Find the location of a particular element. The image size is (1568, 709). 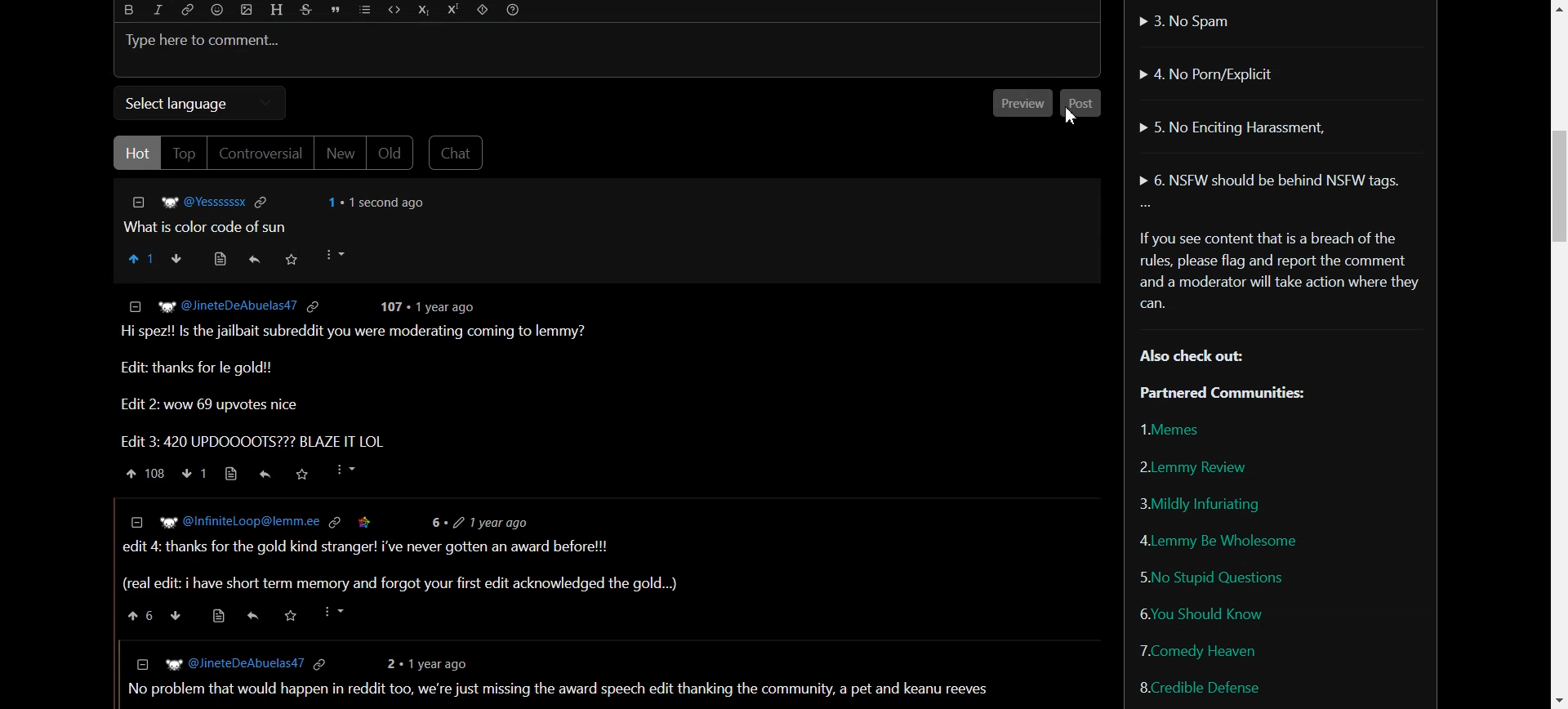

Text is located at coordinates (376, 203).